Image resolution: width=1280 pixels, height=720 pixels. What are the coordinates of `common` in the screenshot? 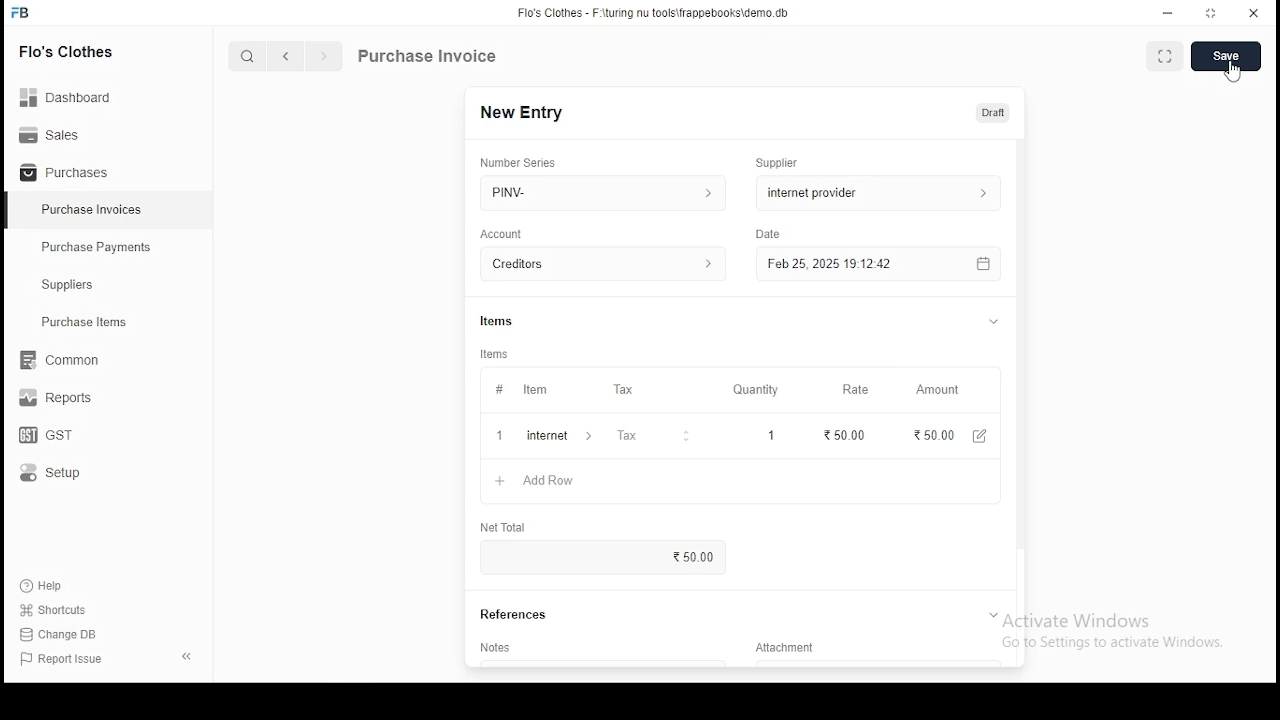 It's located at (65, 360).